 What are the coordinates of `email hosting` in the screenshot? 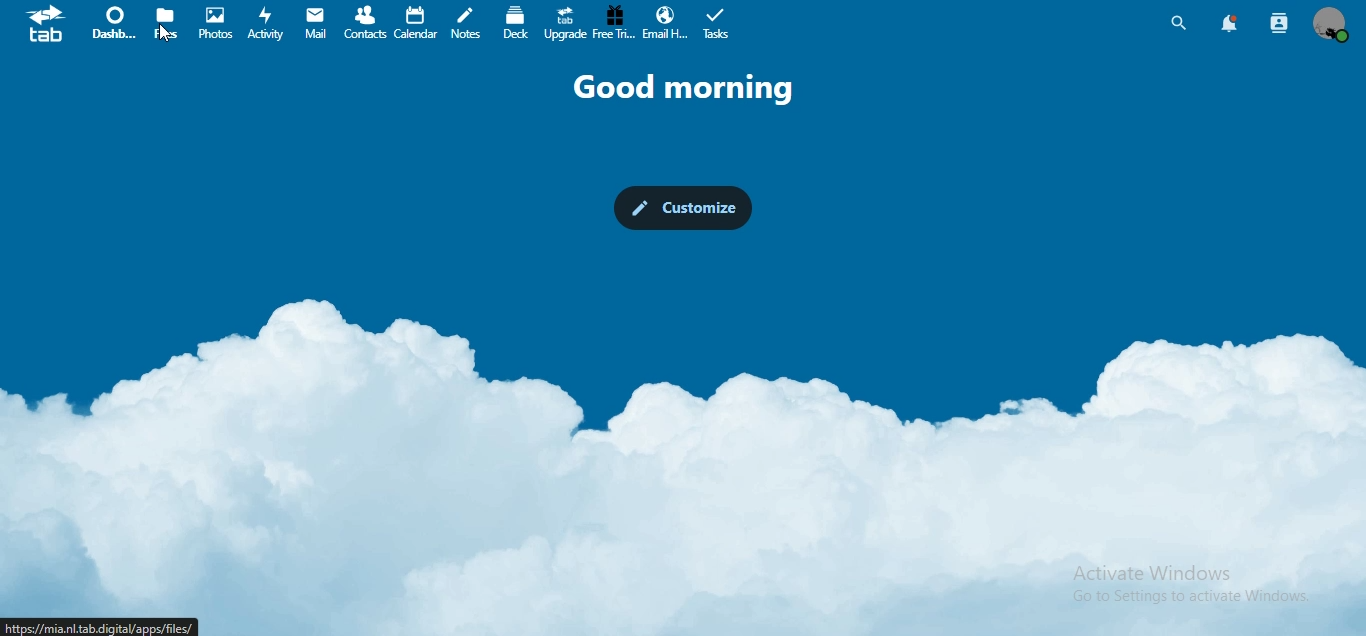 It's located at (663, 23).